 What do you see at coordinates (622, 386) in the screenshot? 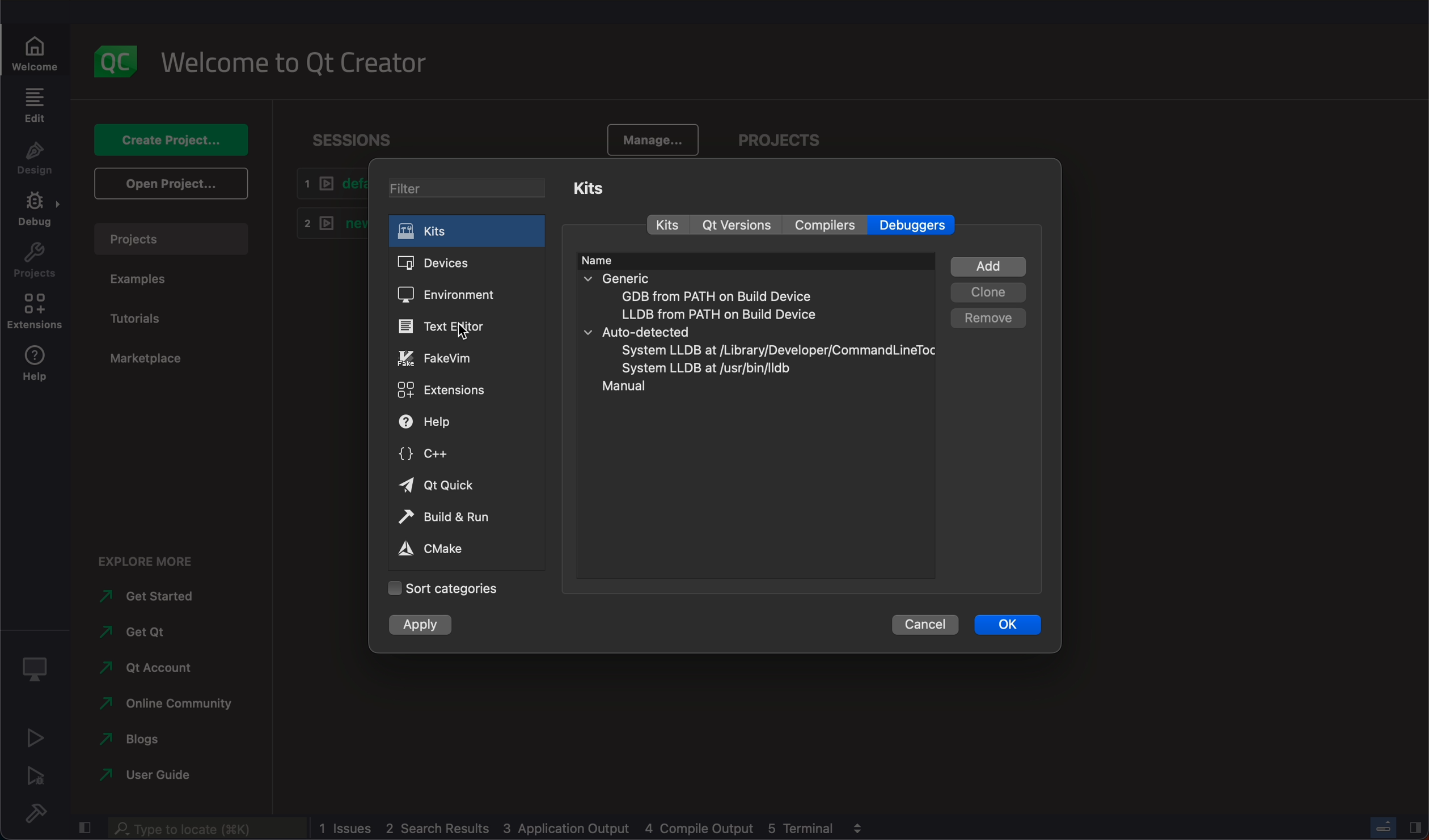
I see `manual` at bounding box center [622, 386].